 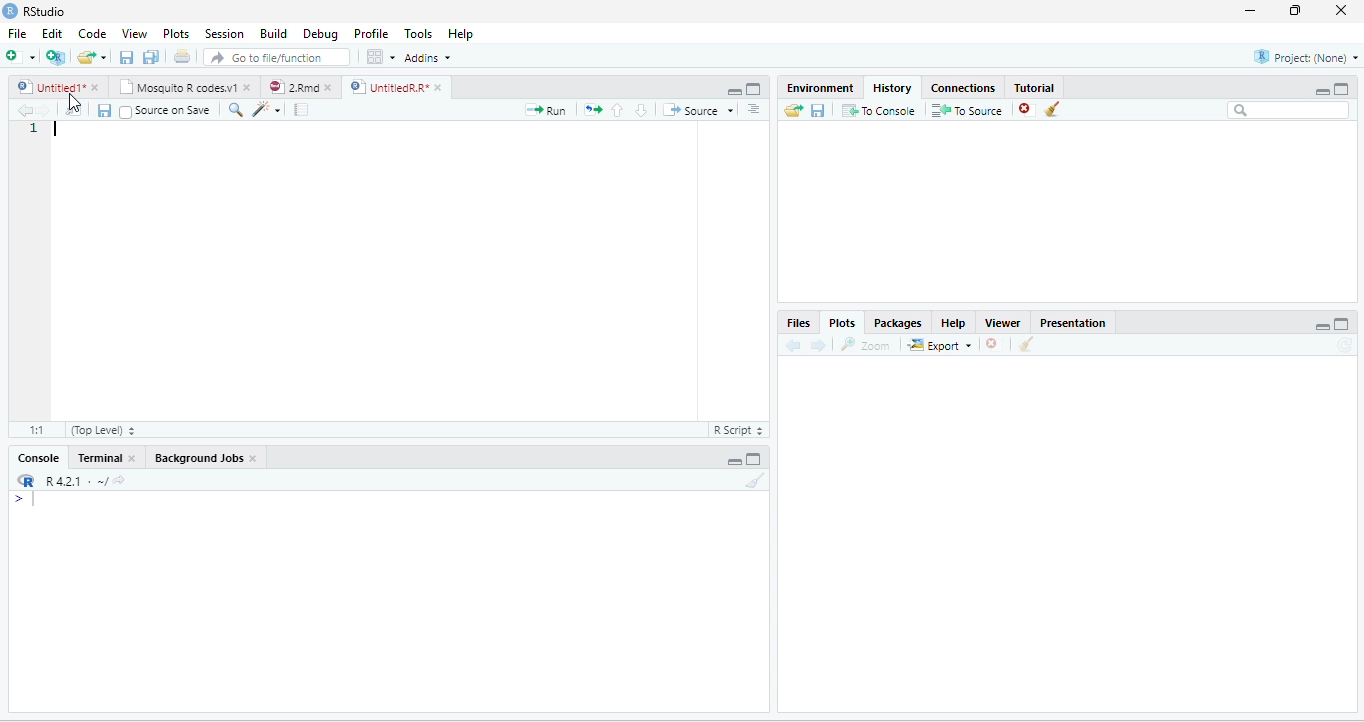 I want to click on Edit, so click(x=51, y=33).